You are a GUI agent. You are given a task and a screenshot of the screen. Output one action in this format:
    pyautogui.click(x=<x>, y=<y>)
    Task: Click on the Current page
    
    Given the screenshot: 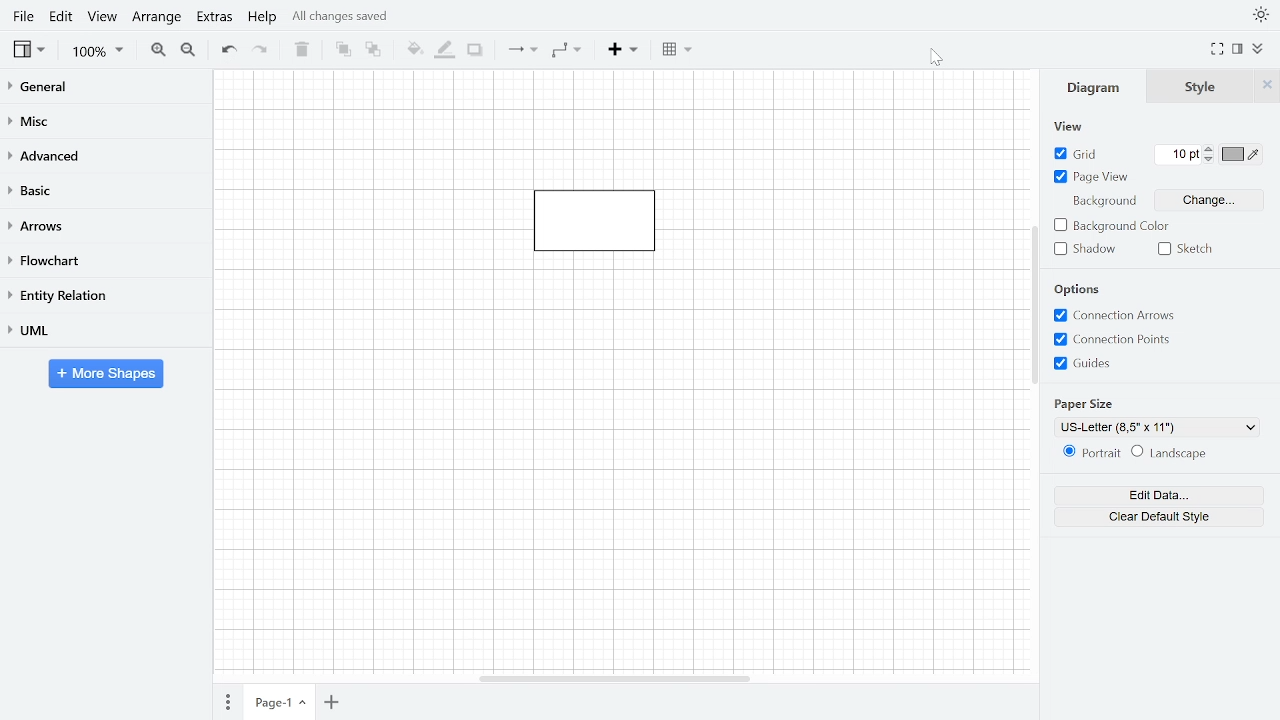 What is the action you would take?
    pyautogui.click(x=282, y=701)
    